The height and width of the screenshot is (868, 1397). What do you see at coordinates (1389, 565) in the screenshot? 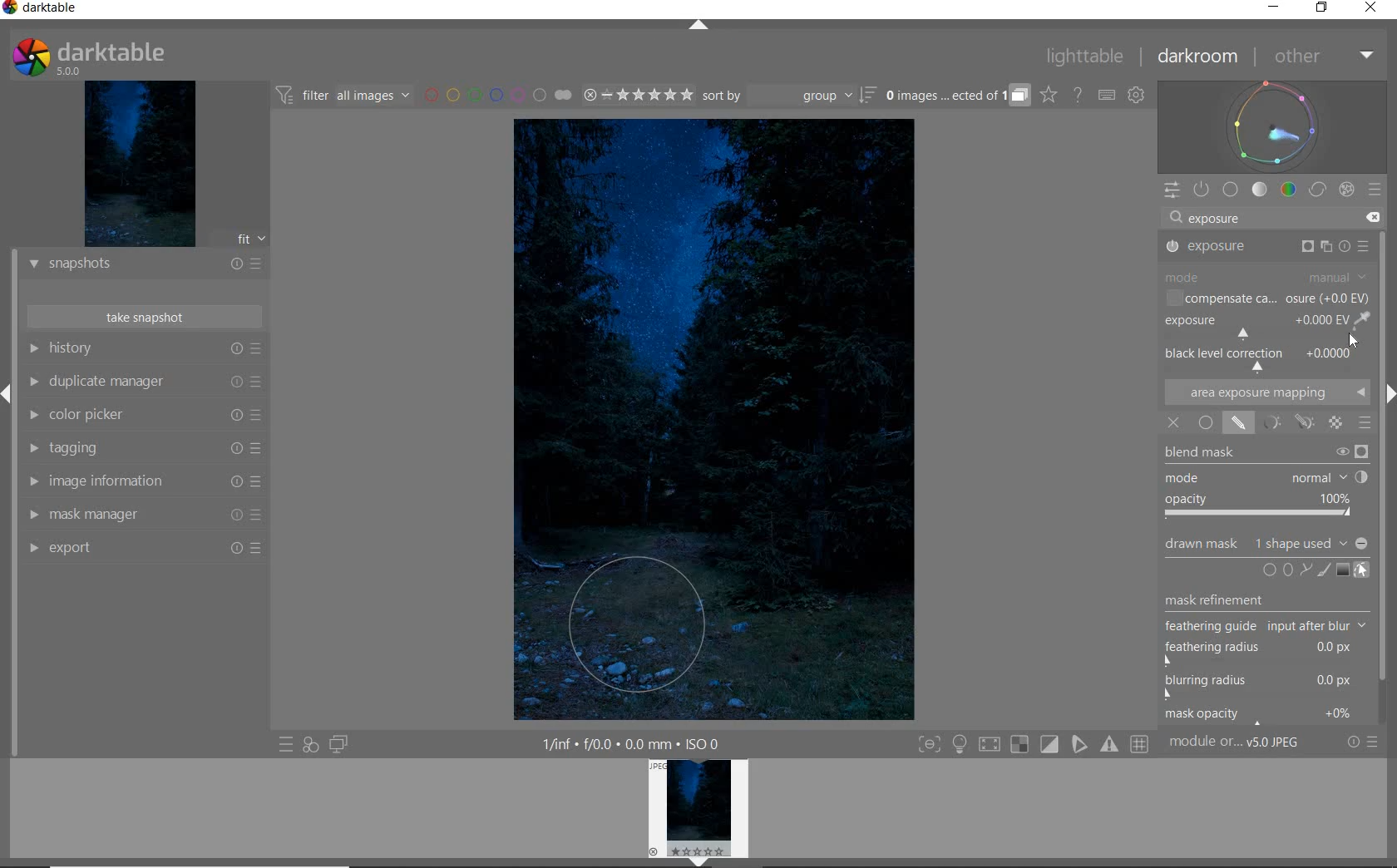
I see `Scrollbar` at bounding box center [1389, 565].